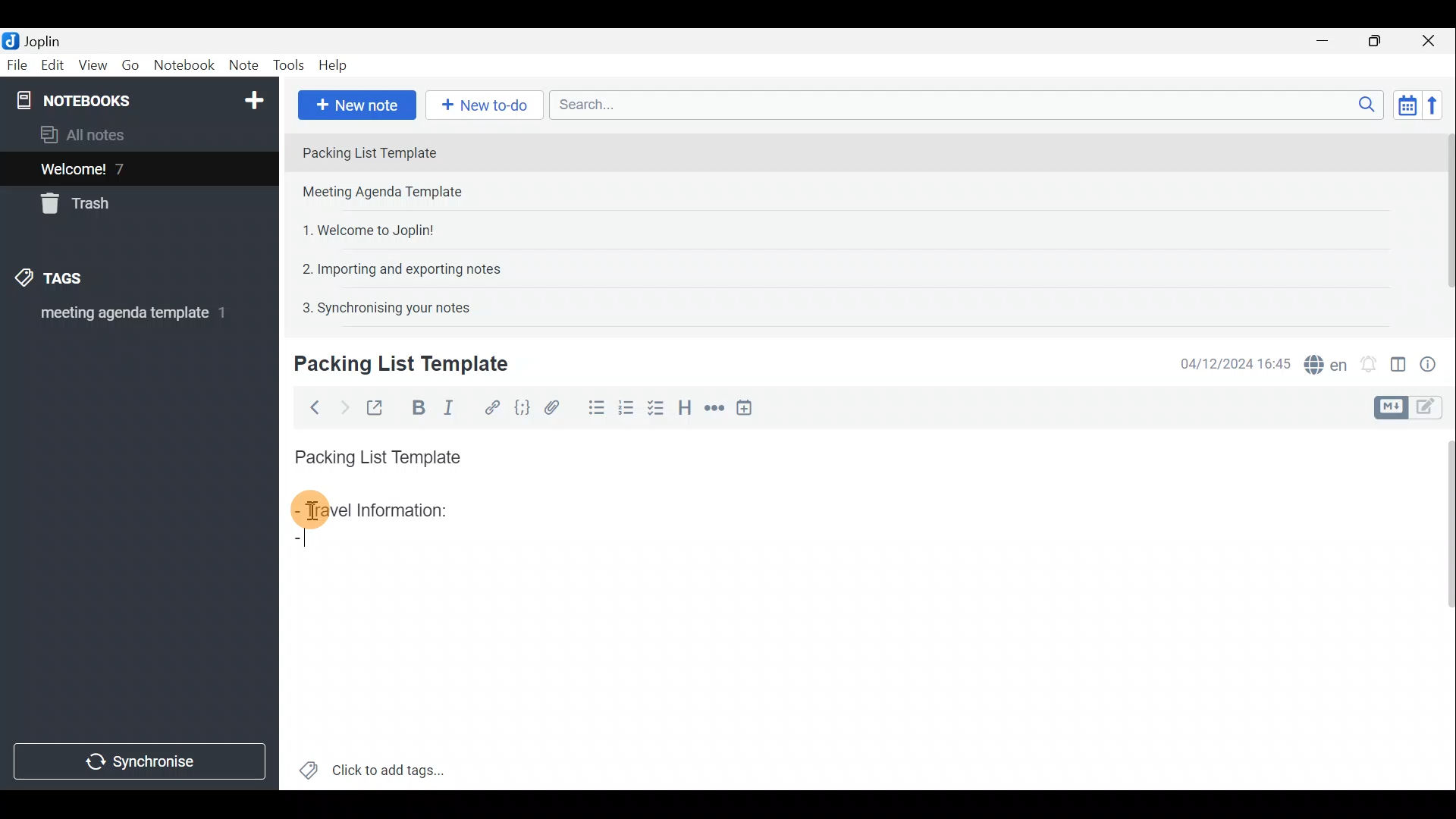 This screenshot has width=1456, height=819. What do you see at coordinates (341, 406) in the screenshot?
I see `Forward` at bounding box center [341, 406].